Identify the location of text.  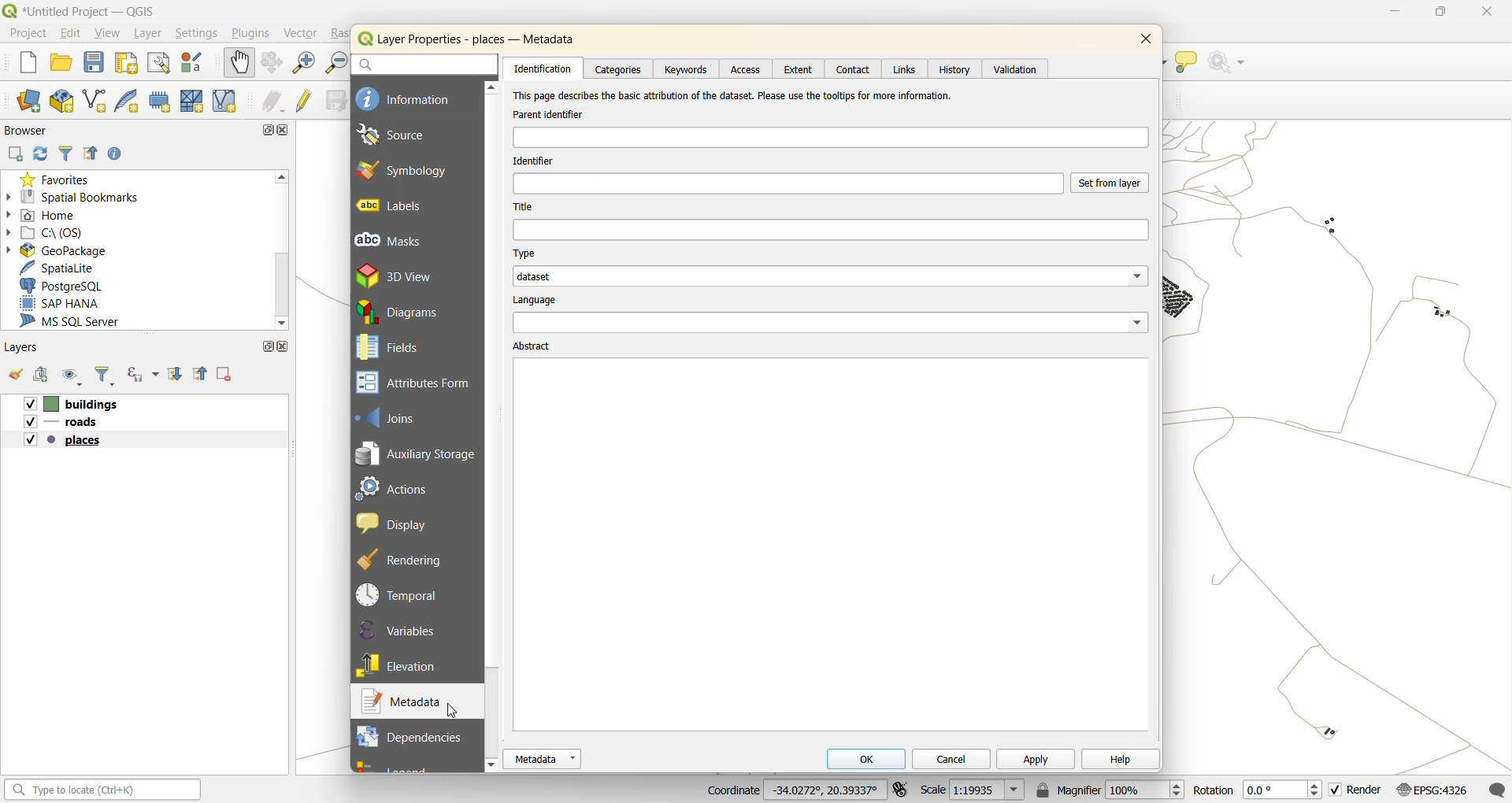
(732, 96).